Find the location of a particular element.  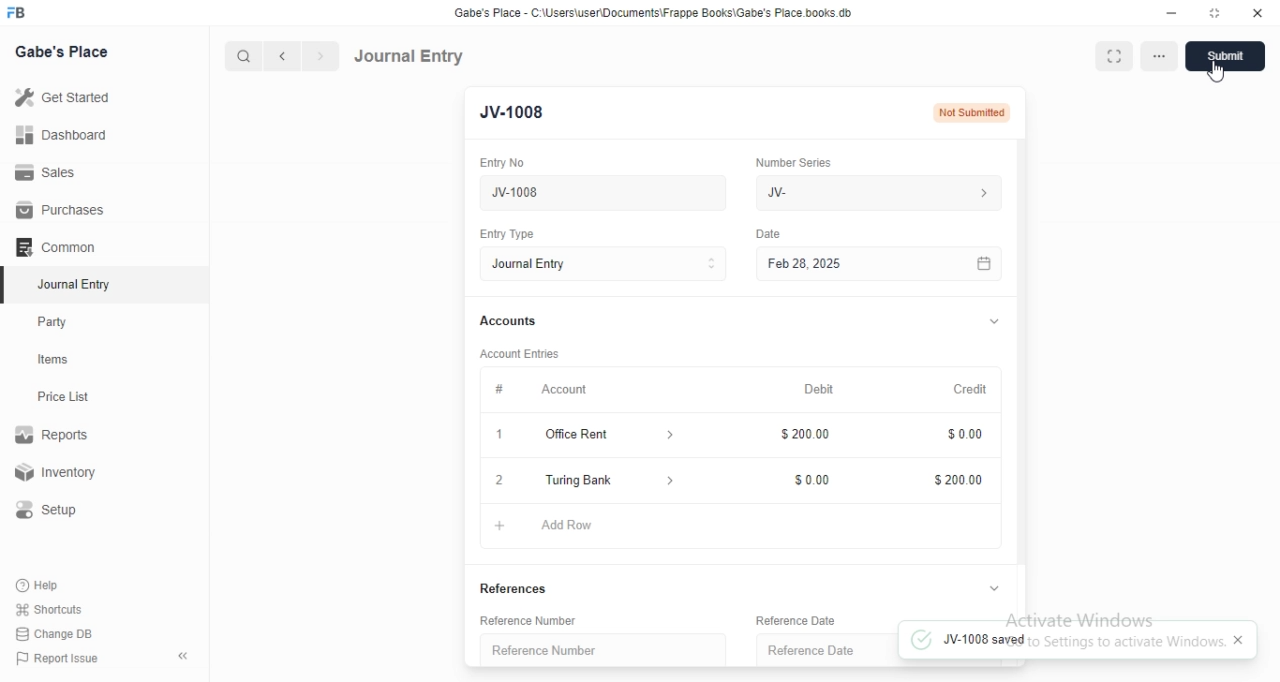

References is located at coordinates (518, 588).